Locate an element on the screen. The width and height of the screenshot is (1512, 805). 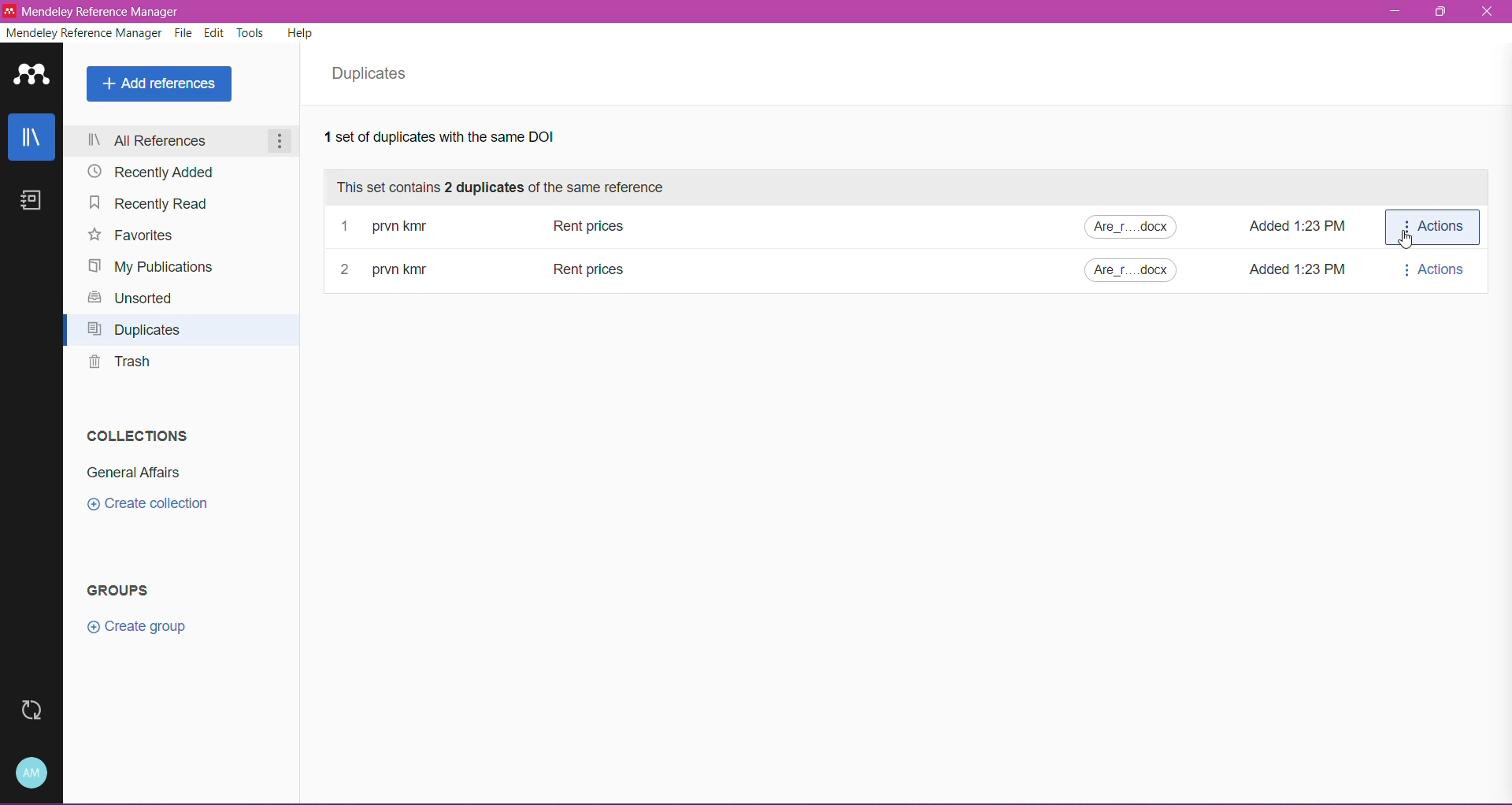
Duplicate Item titles is located at coordinates (673, 226).